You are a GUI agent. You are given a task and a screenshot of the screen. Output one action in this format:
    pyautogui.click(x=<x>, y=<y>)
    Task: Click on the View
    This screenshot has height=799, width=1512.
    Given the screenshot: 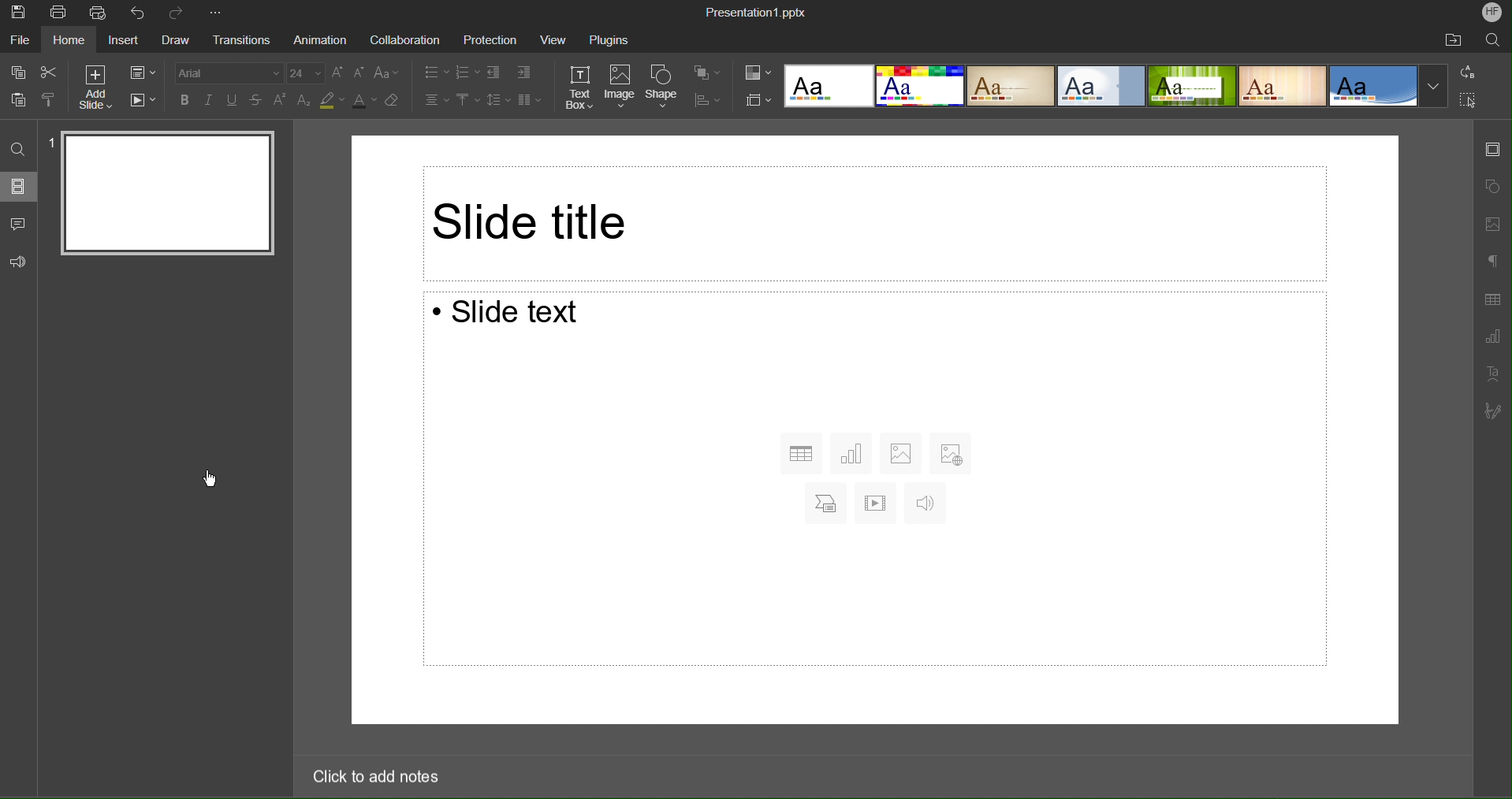 What is the action you would take?
    pyautogui.click(x=553, y=39)
    